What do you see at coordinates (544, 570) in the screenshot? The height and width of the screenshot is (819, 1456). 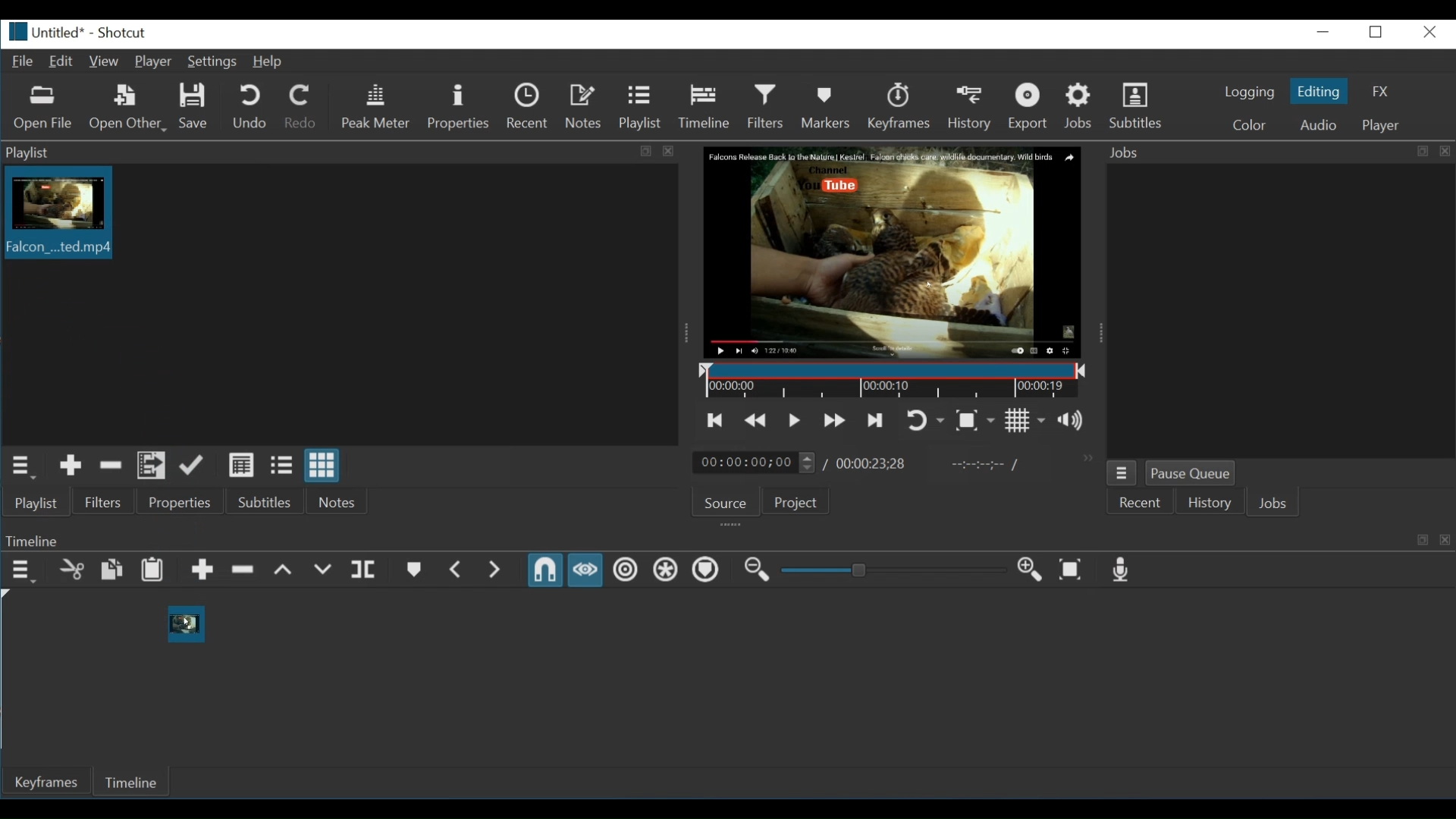 I see `Snap` at bounding box center [544, 570].